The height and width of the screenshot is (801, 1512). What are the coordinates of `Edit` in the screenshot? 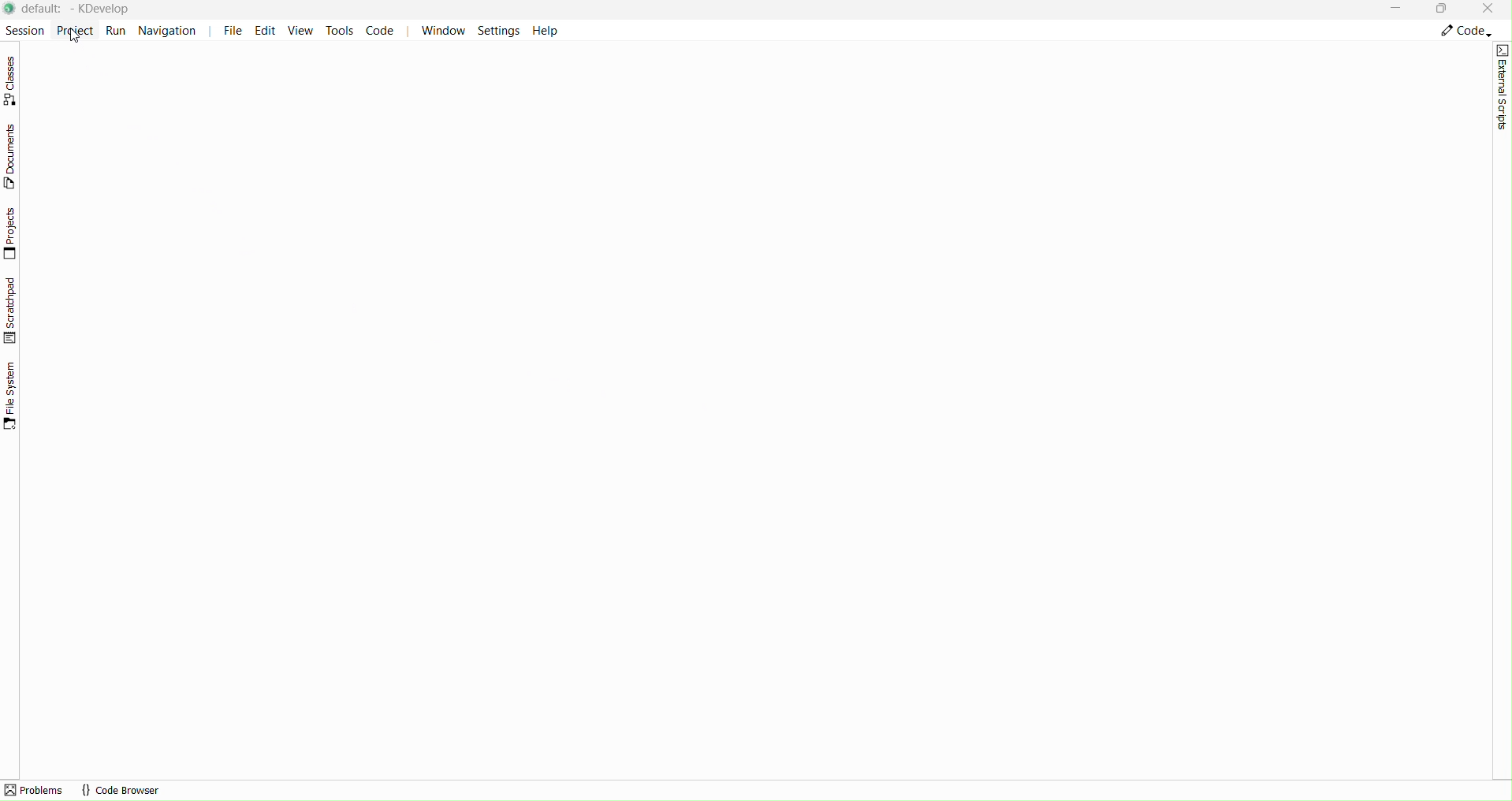 It's located at (269, 31).